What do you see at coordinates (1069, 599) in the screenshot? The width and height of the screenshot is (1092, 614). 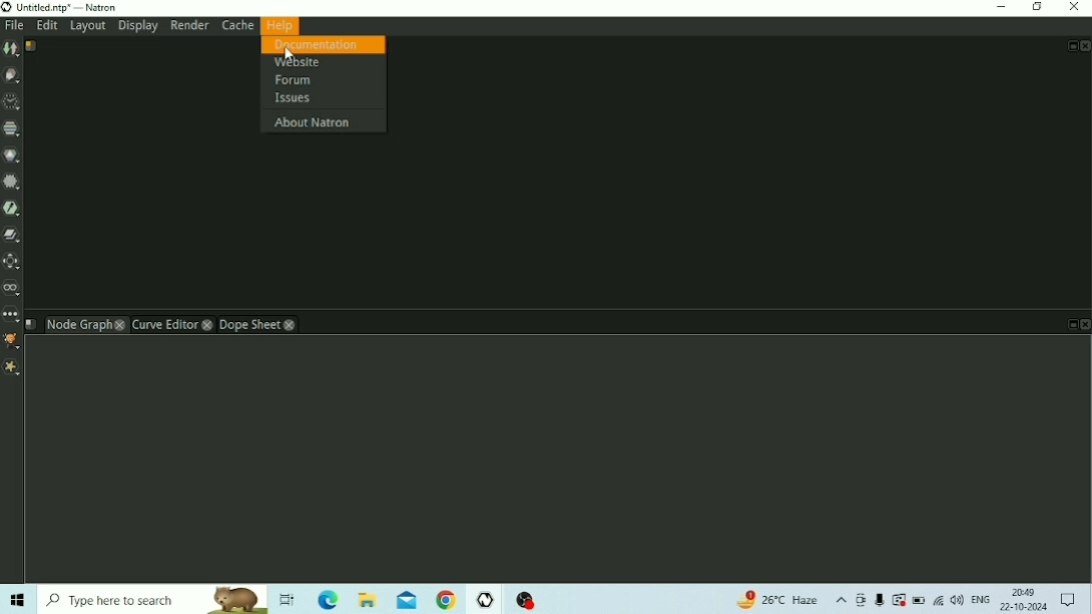 I see `Notifications` at bounding box center [1069, 599].